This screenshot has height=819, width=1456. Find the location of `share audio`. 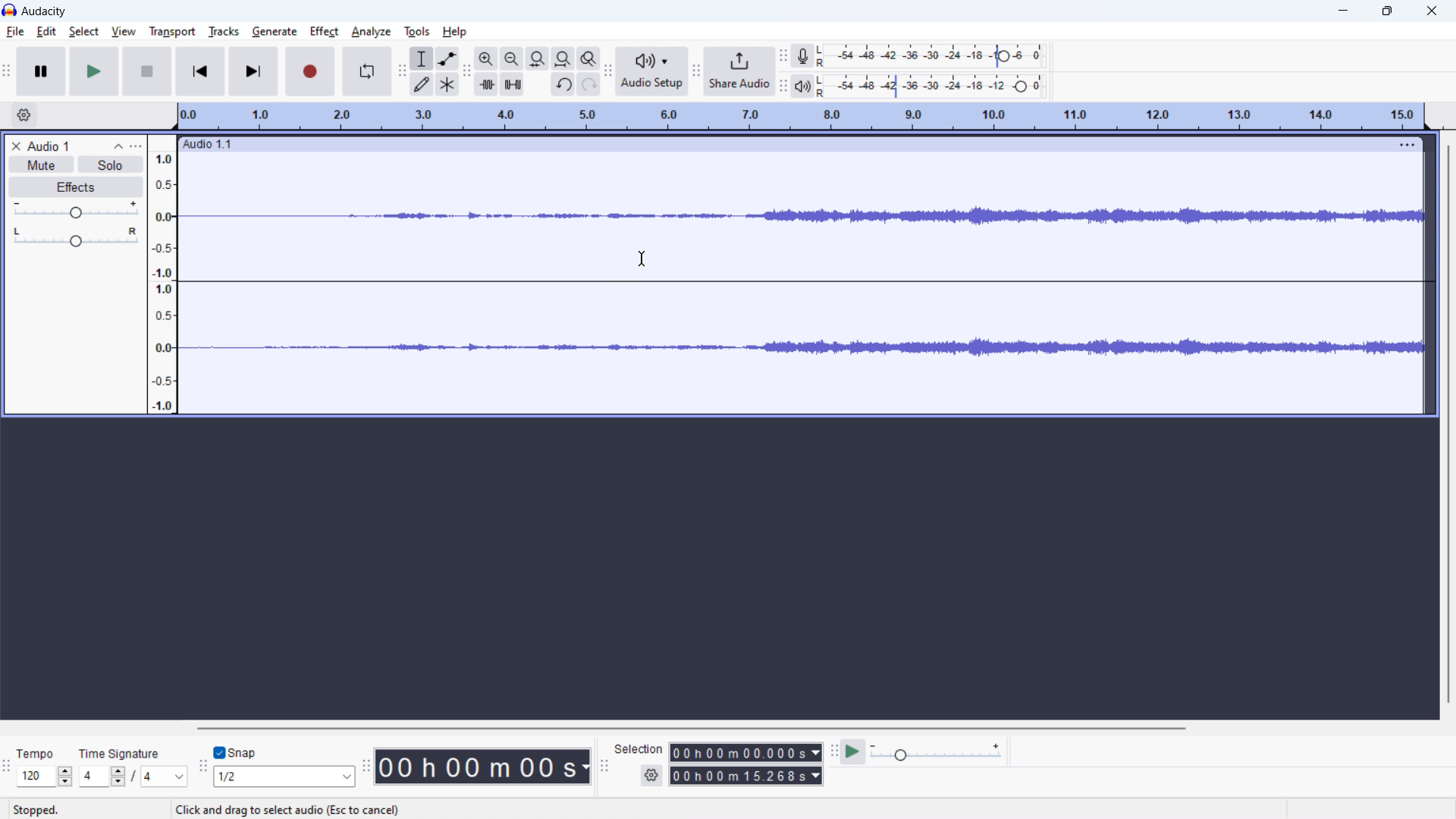

share audio is located at coordinates (740, 71).